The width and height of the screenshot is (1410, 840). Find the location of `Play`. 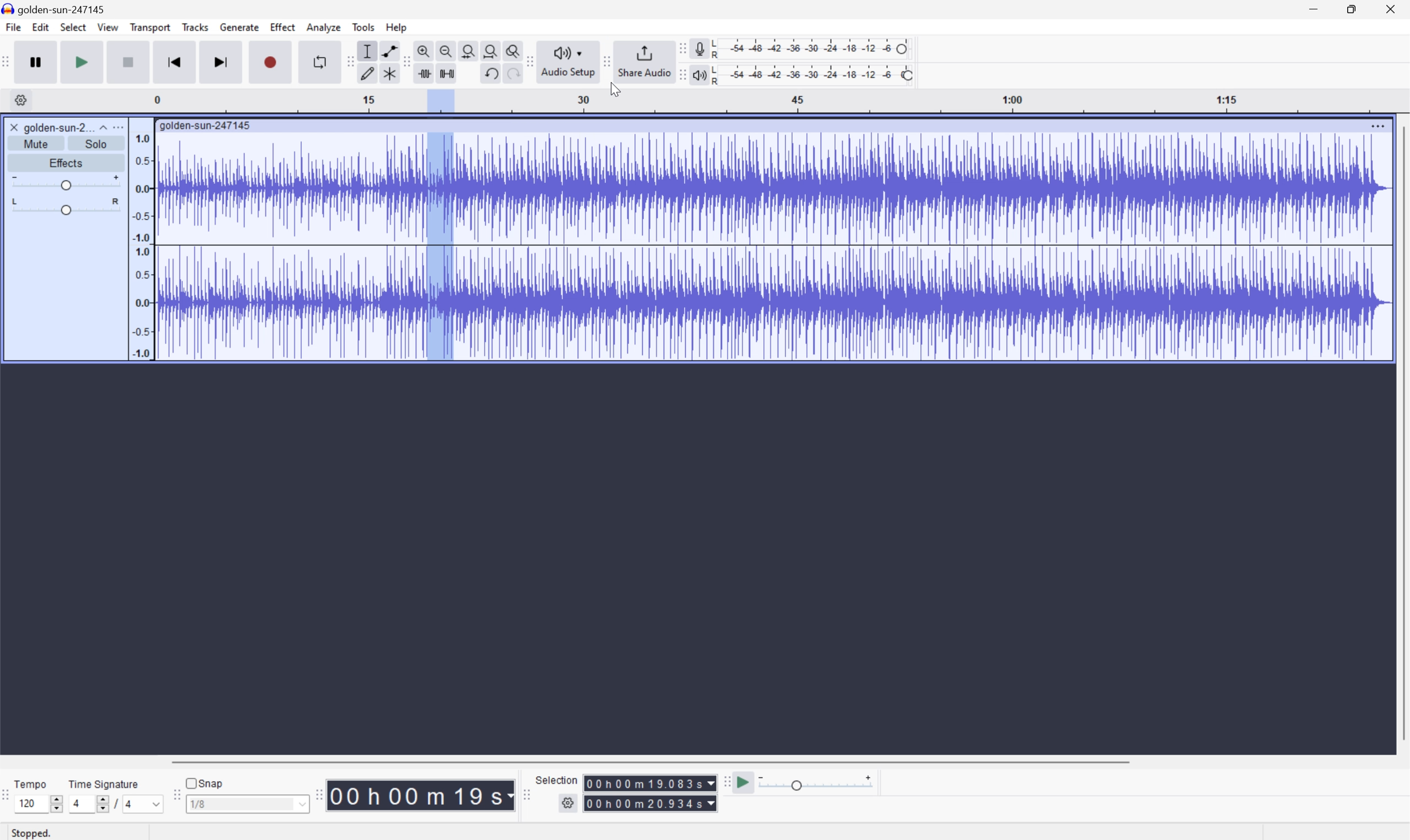

Play is located at coordinates (83, 62).